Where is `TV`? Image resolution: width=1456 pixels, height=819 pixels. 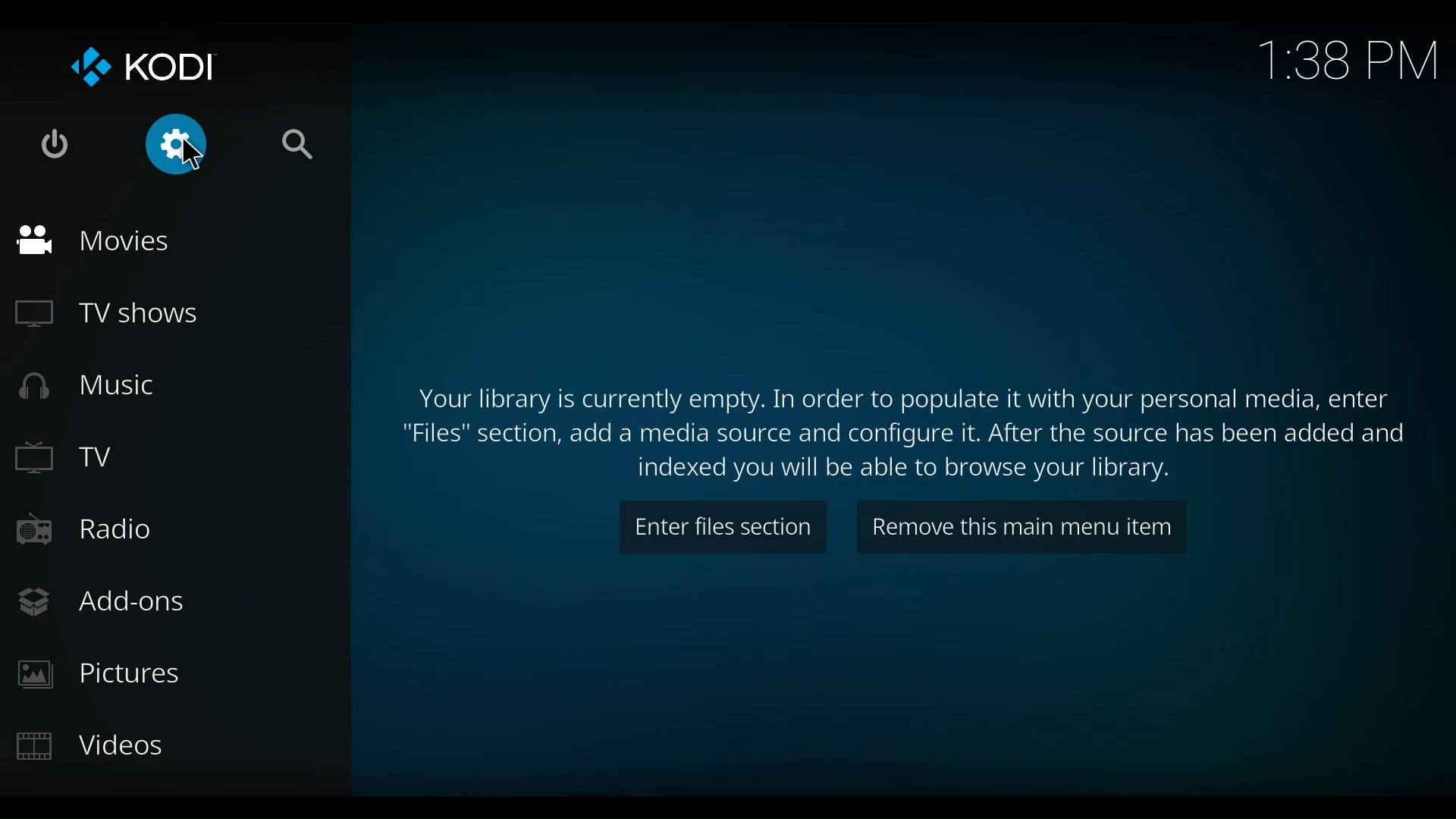 TV is located at coordinates (70, 458).